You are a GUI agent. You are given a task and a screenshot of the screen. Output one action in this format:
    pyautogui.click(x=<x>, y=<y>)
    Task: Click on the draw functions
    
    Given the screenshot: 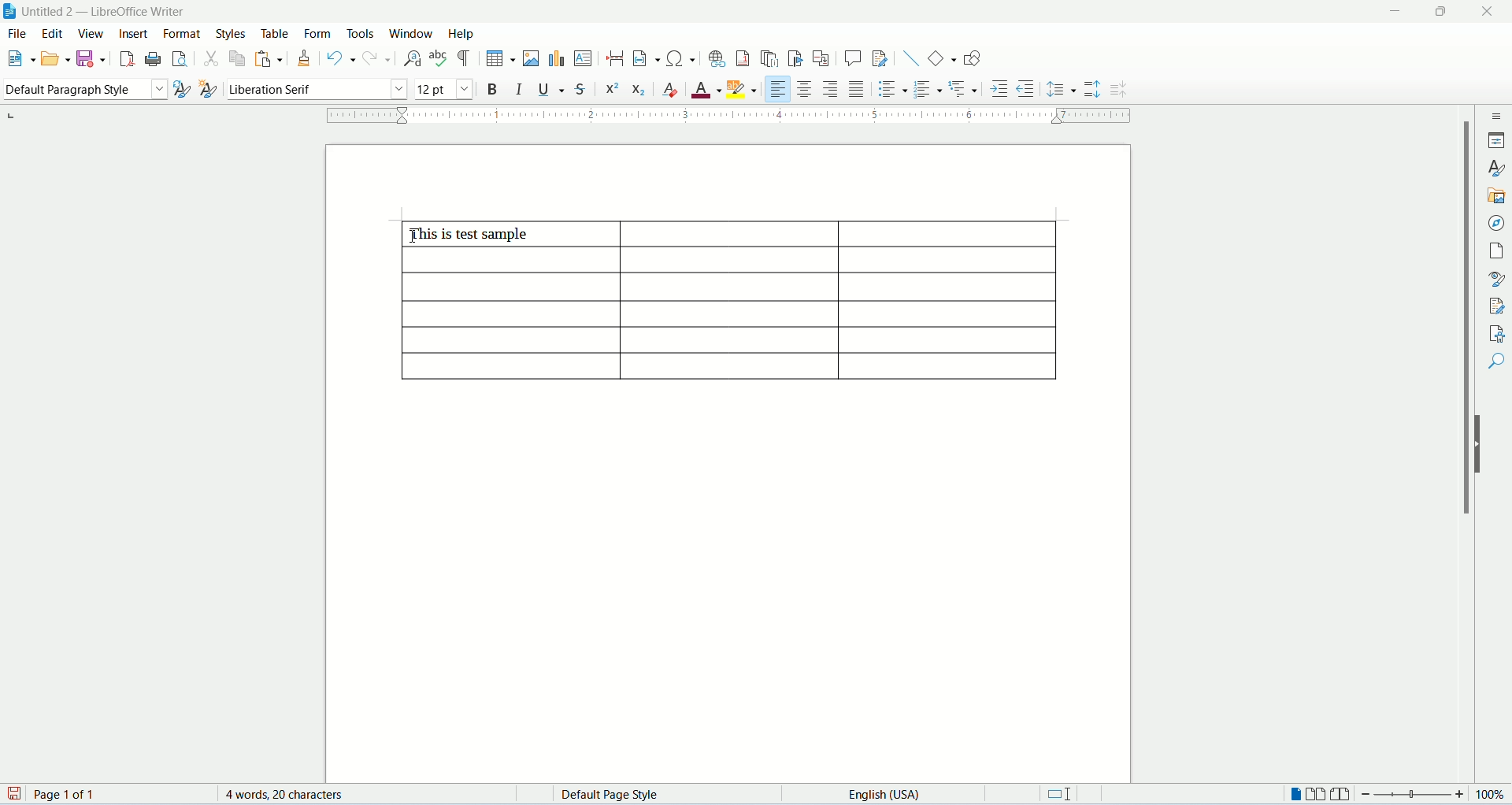 What is the action you would take?
    pyautogui.click(x=973, y=57)
    